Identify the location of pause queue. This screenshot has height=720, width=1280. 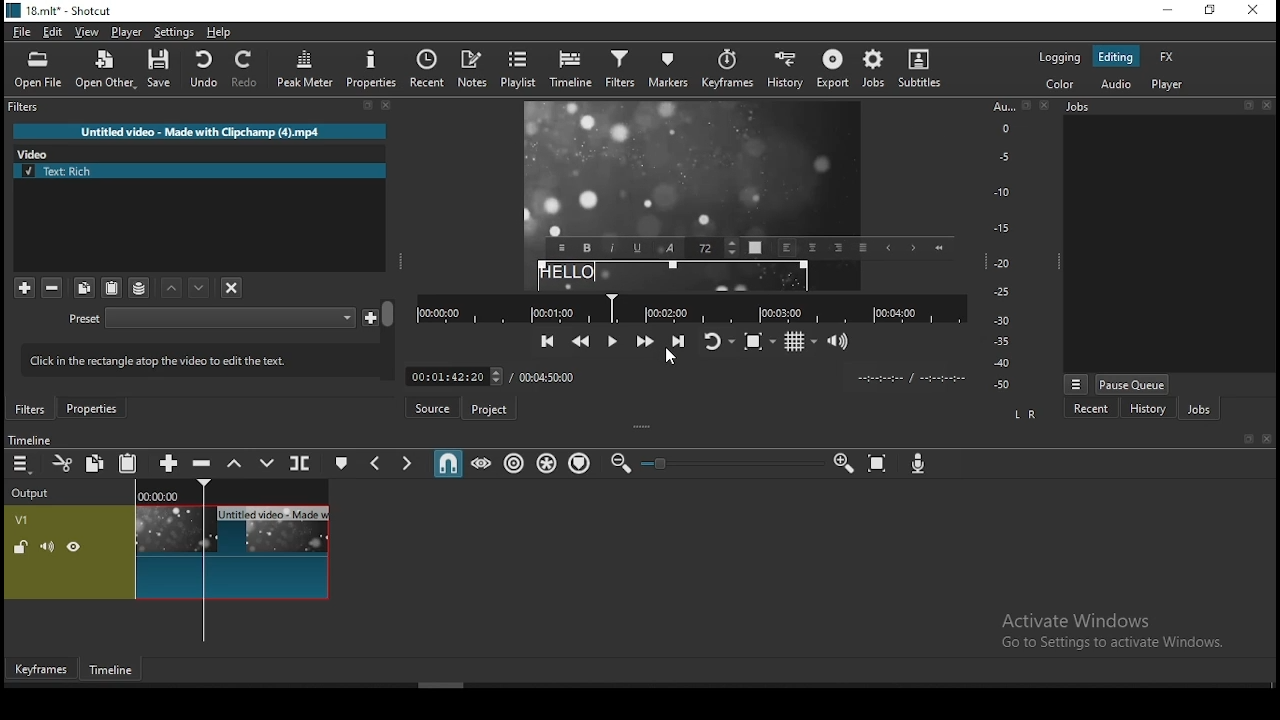
(1133, 384).